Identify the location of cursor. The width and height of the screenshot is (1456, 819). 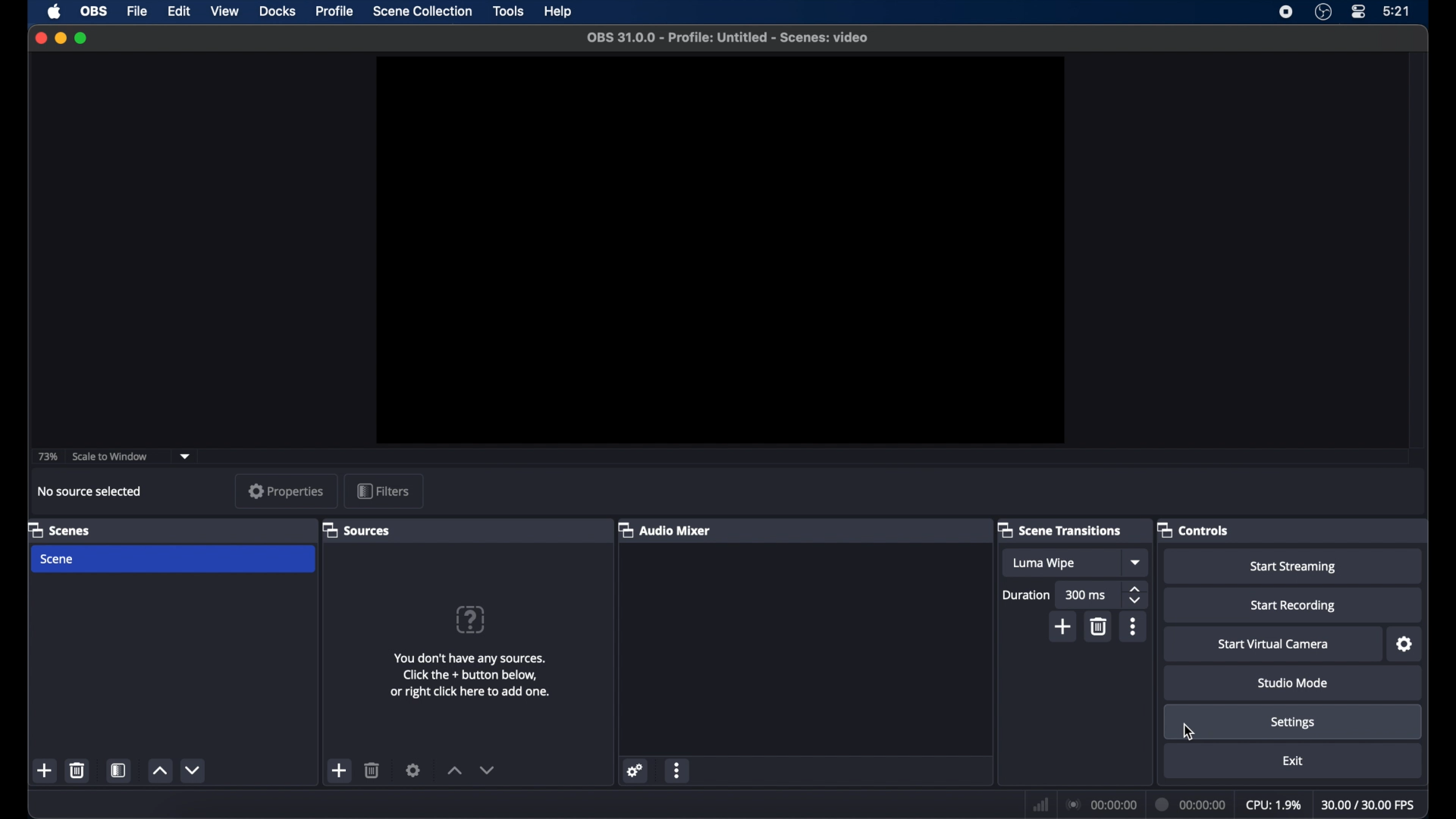
(1189, 734).